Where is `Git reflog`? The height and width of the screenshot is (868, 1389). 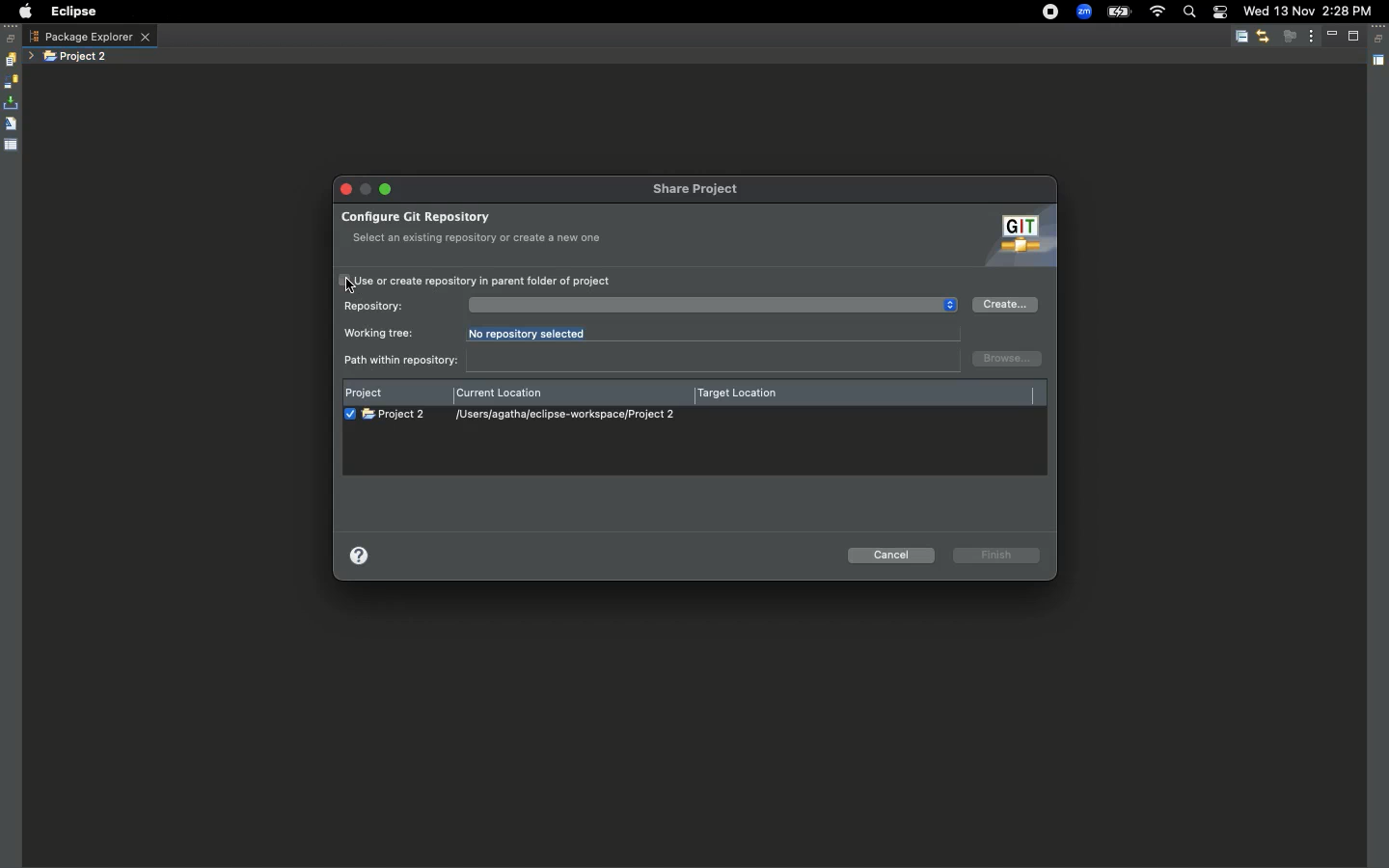 Git reflog is located at coordinates (11, 125).